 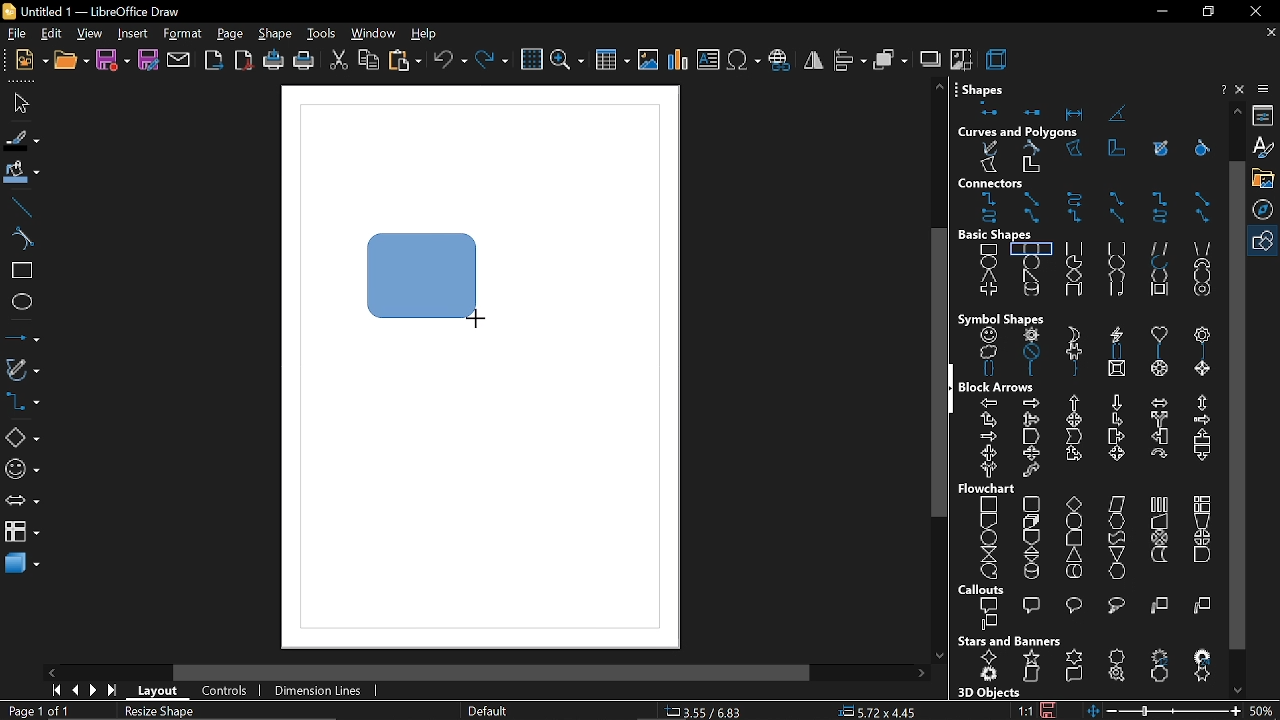 I want to click on help, so click(x=425, y=35).